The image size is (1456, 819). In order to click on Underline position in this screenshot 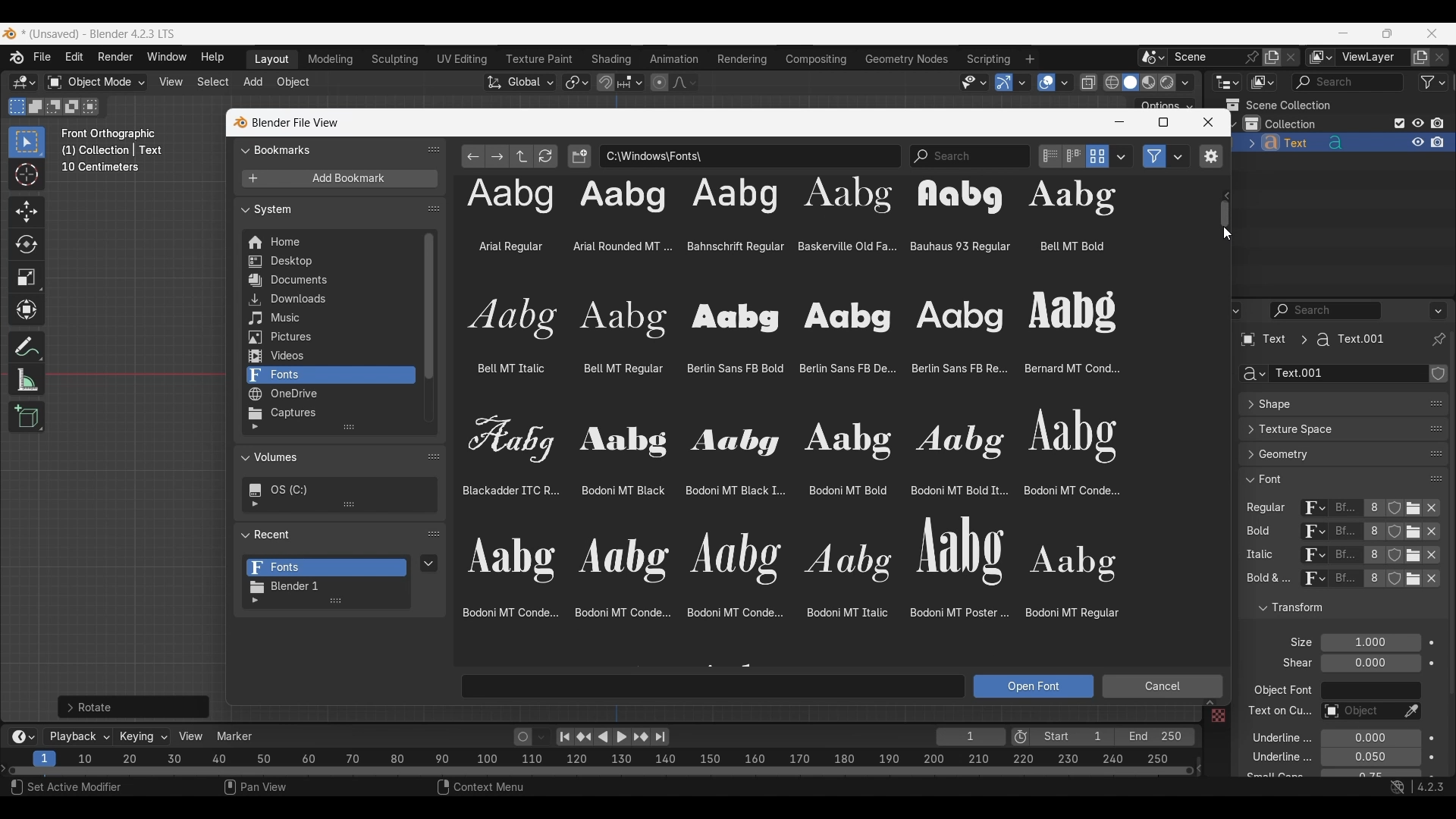, I will do `click(1370, 739)`.